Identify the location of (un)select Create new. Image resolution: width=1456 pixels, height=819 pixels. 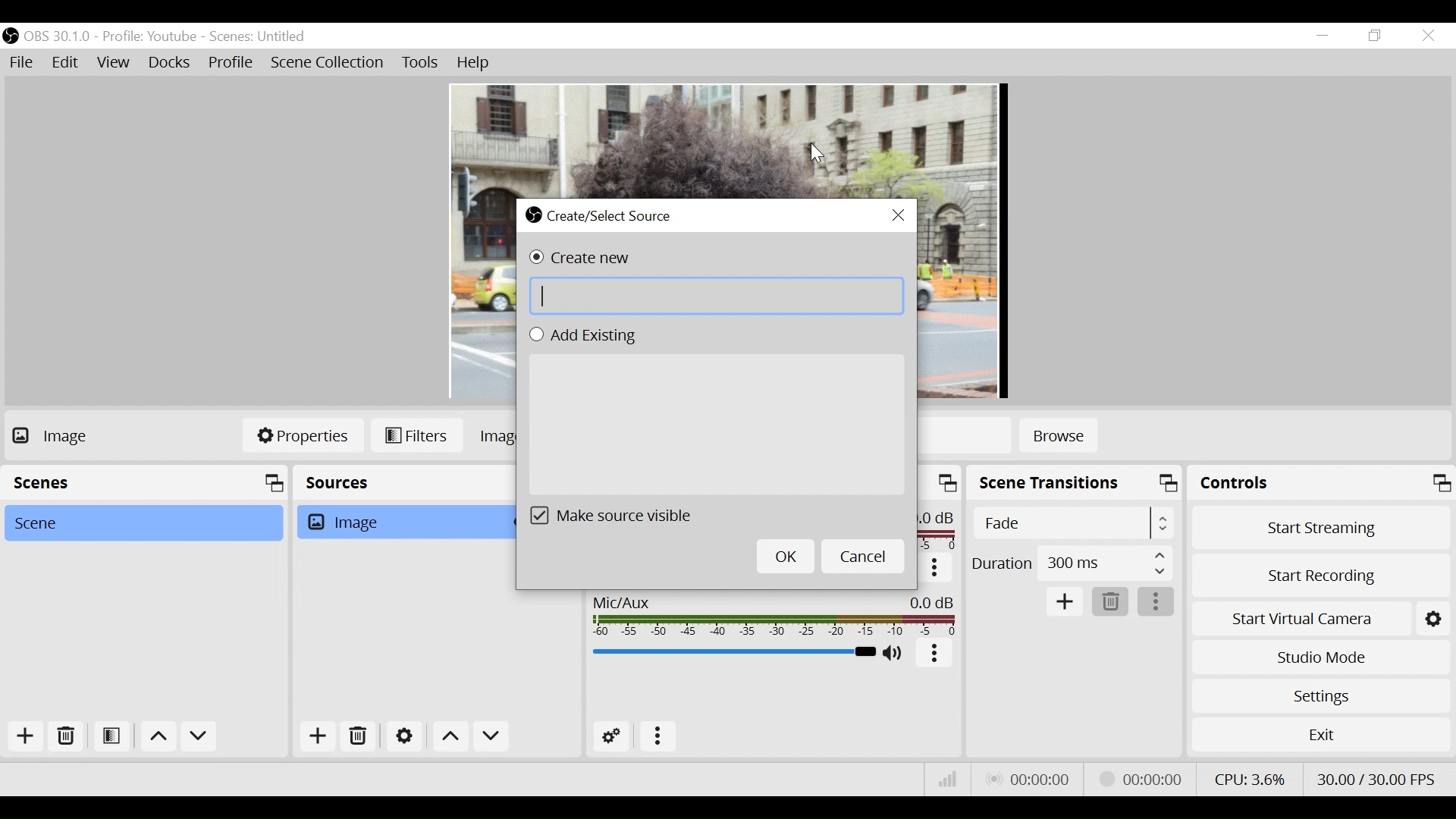
(577, 257).